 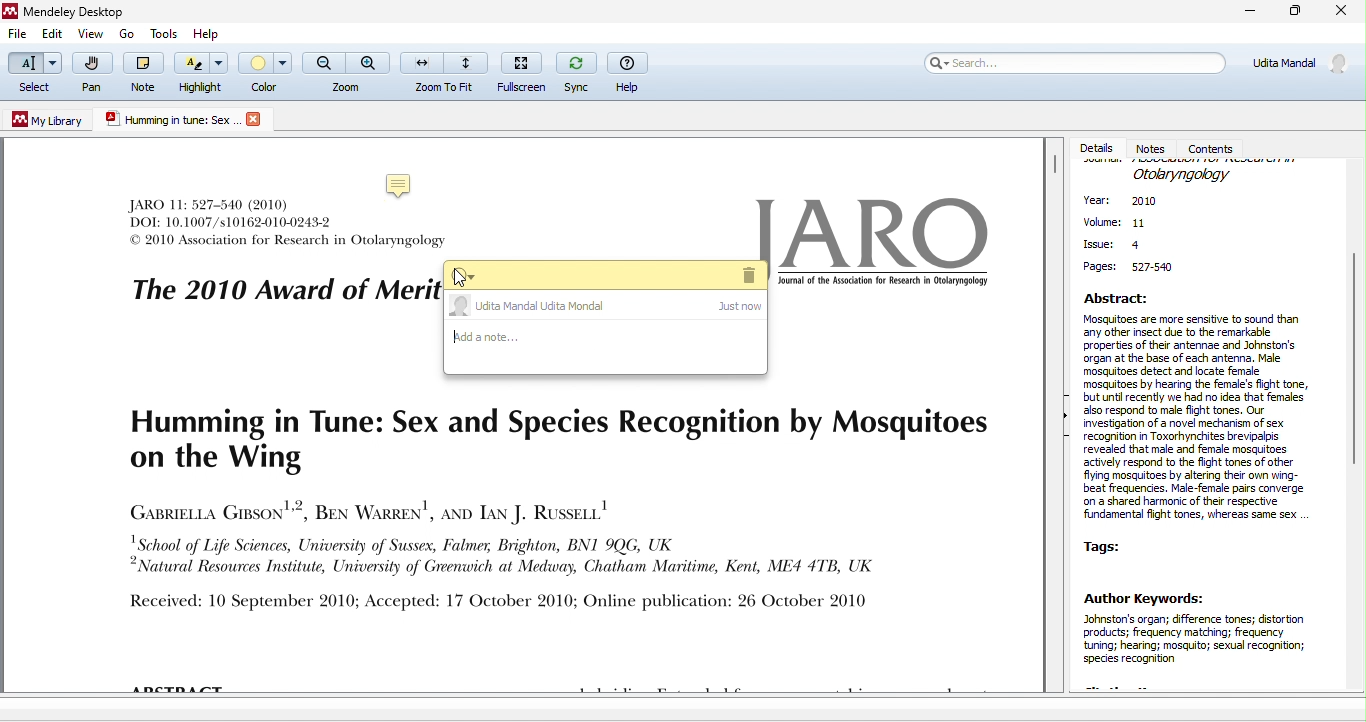 What do you see at coordinates (167, 34) in the screenshot?
I see `tools` at bounding box center [167, 34].